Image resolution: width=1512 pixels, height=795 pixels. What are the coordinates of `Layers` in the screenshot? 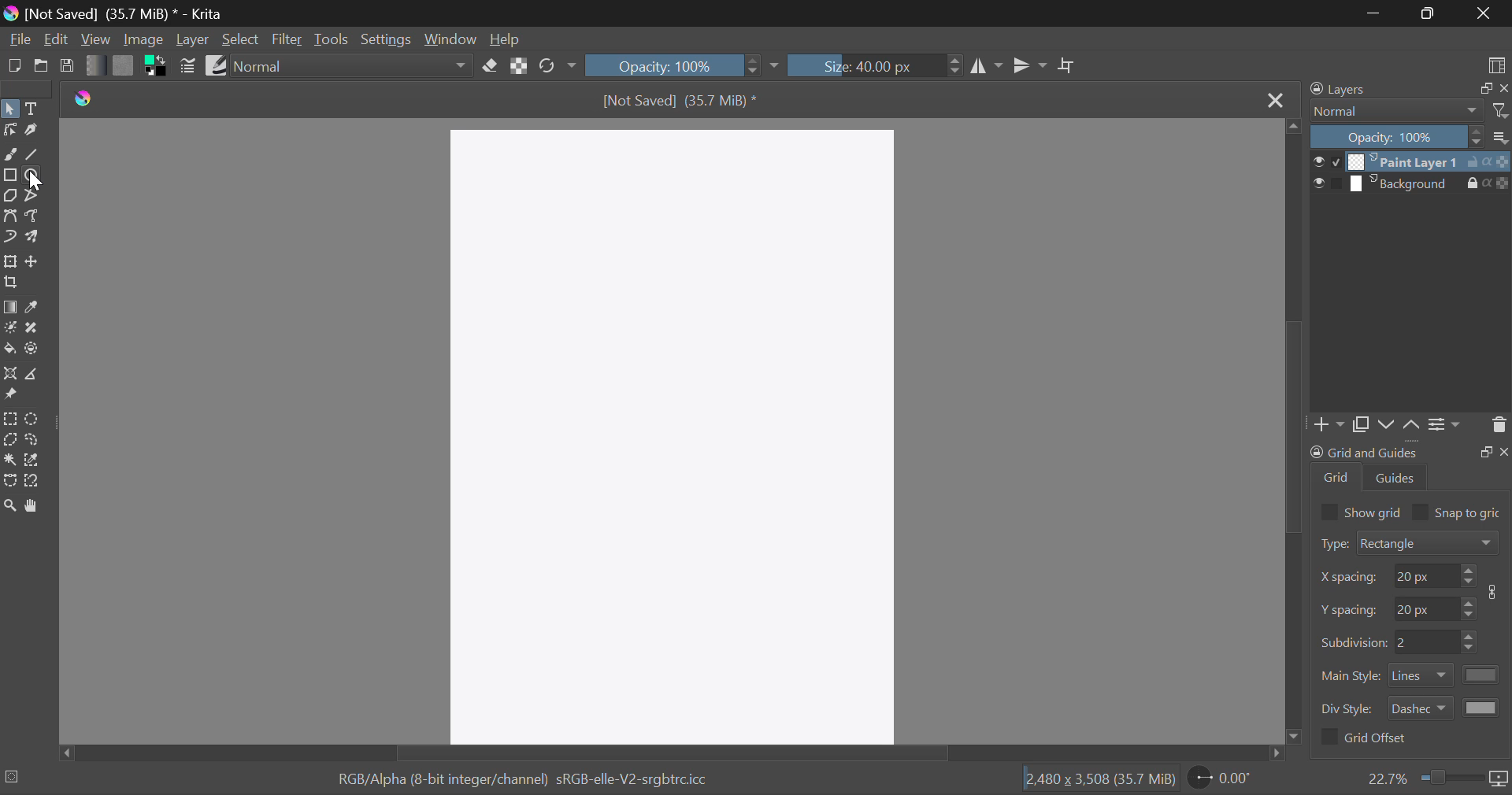 It's located at (1412, 173).